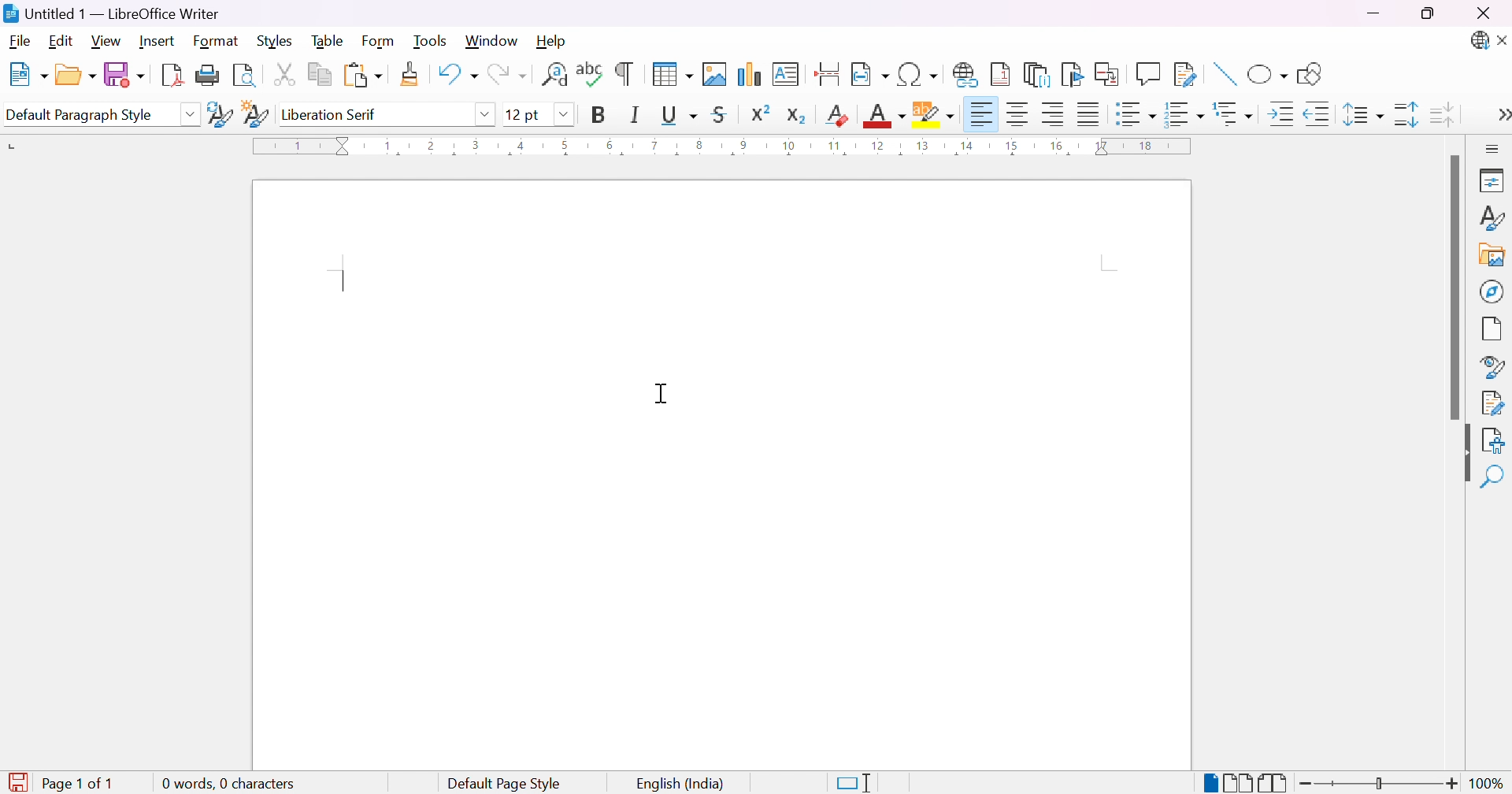 Image resolution: width=1512 pixels, height=794 pixels. What do you see at coordinates (796, 116) in the screenshot?
I see `Subscript` at bounding box center [796, 116].